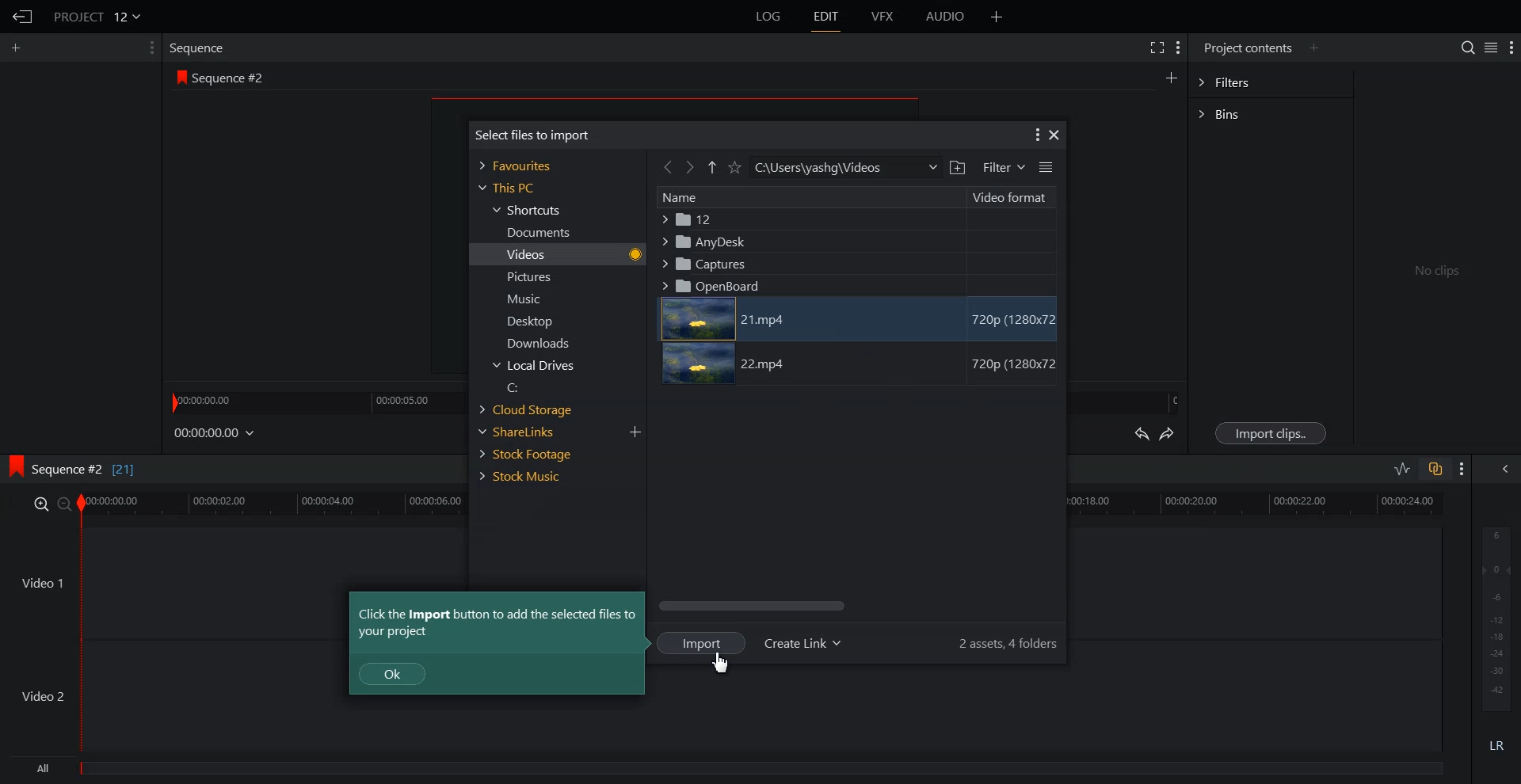 This screenshot has height=784, width=1521. Describe the element at coordinates (856, 606) in the screenshot. I see `Horizontal scroll Bar` at that location.